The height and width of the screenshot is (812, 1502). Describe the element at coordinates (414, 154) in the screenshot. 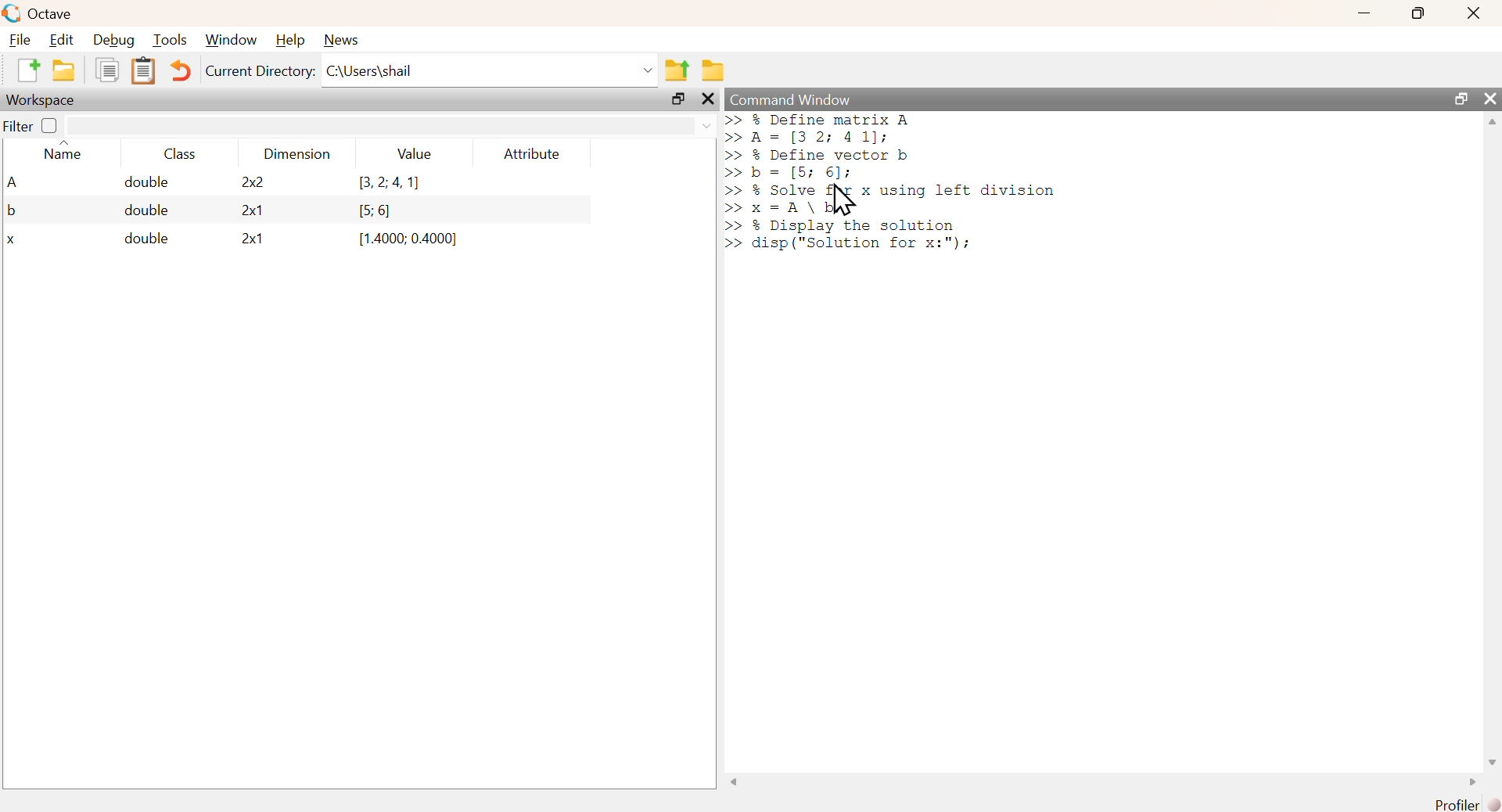

I see `value` at that location.